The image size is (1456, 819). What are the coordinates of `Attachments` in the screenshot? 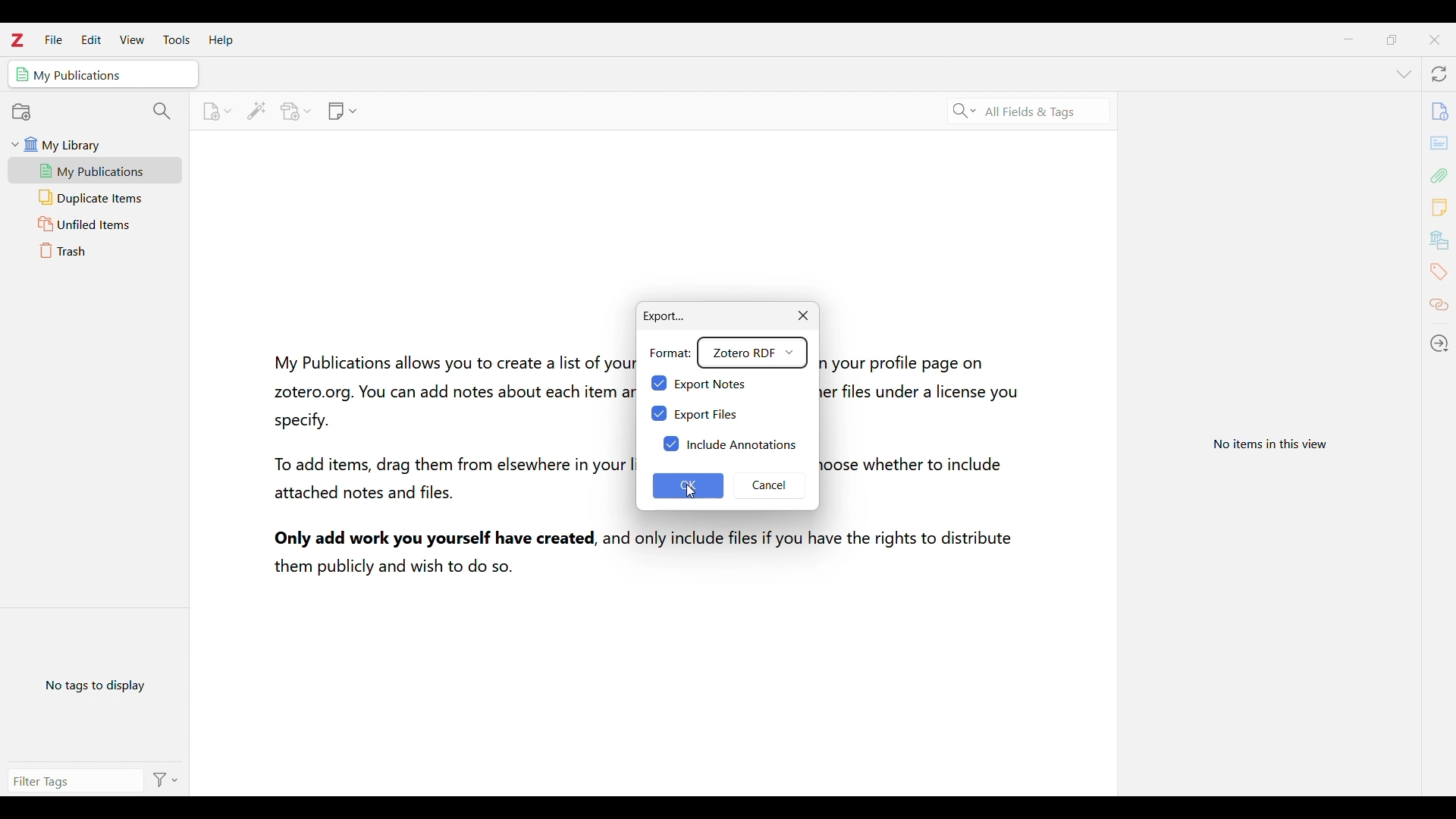 It's located at (1439, 175).